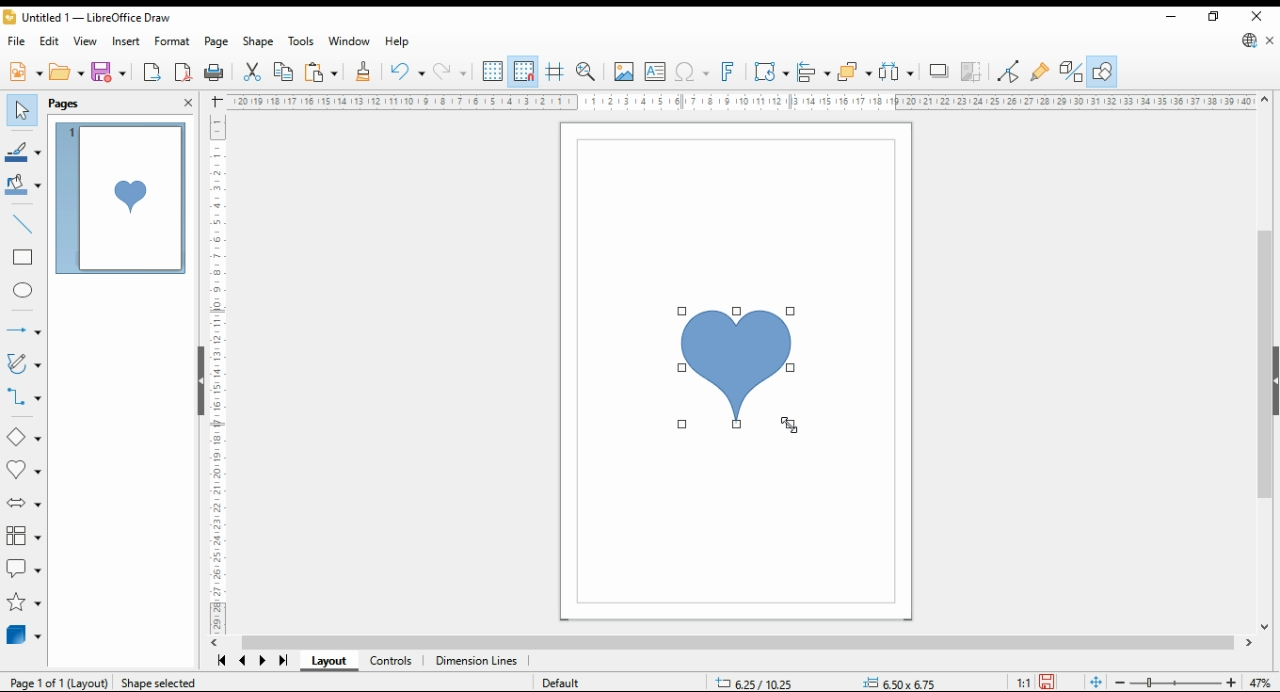 Image resolution: width=1280 pixels, height=692 pixels. I want to click on ellipe, so click(24, 291).